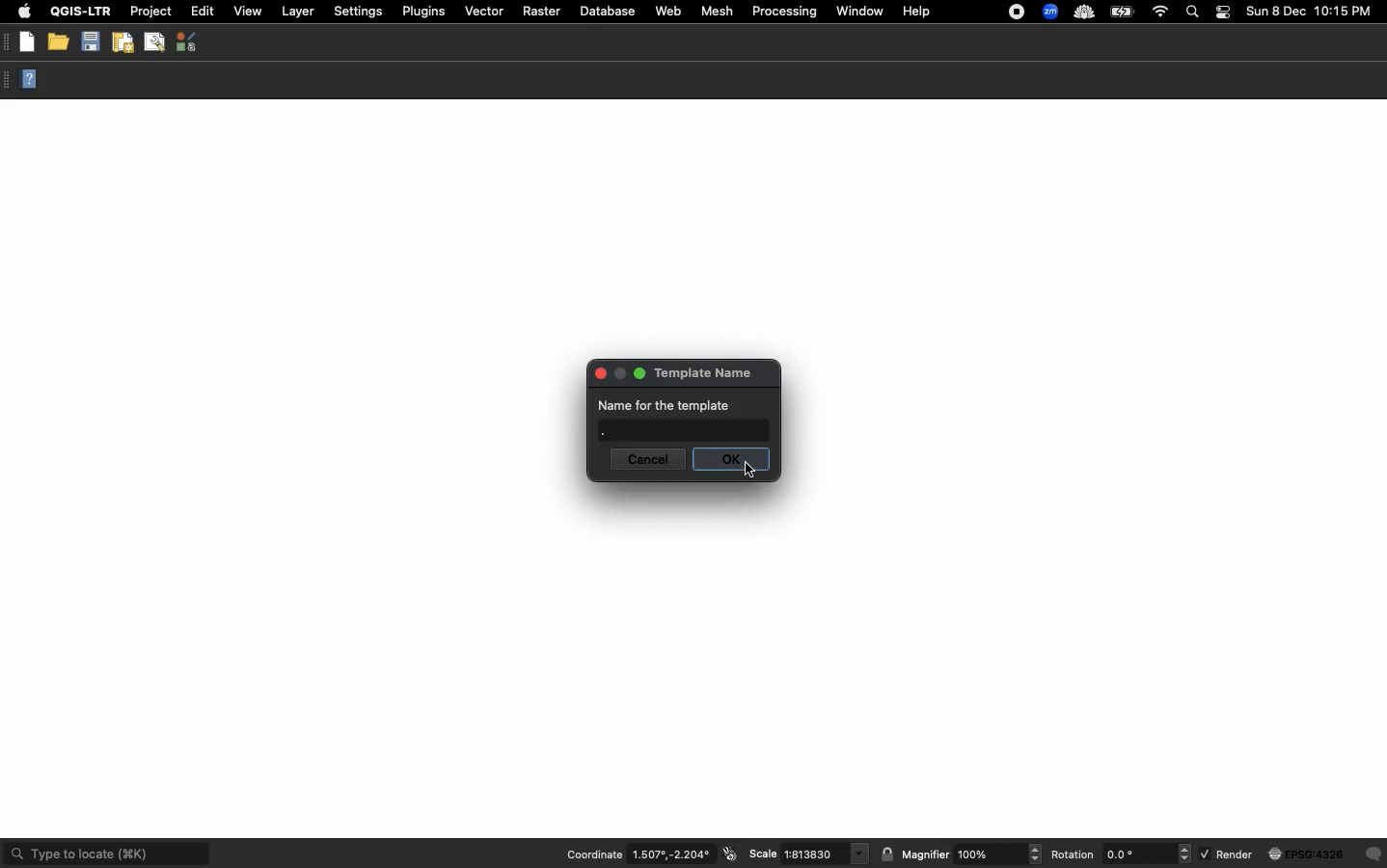 The image size is (1387, 868). What do you see at coordinates (784, 10) in the screenshot?
I see `Processing` at bounding box center [784, 10].